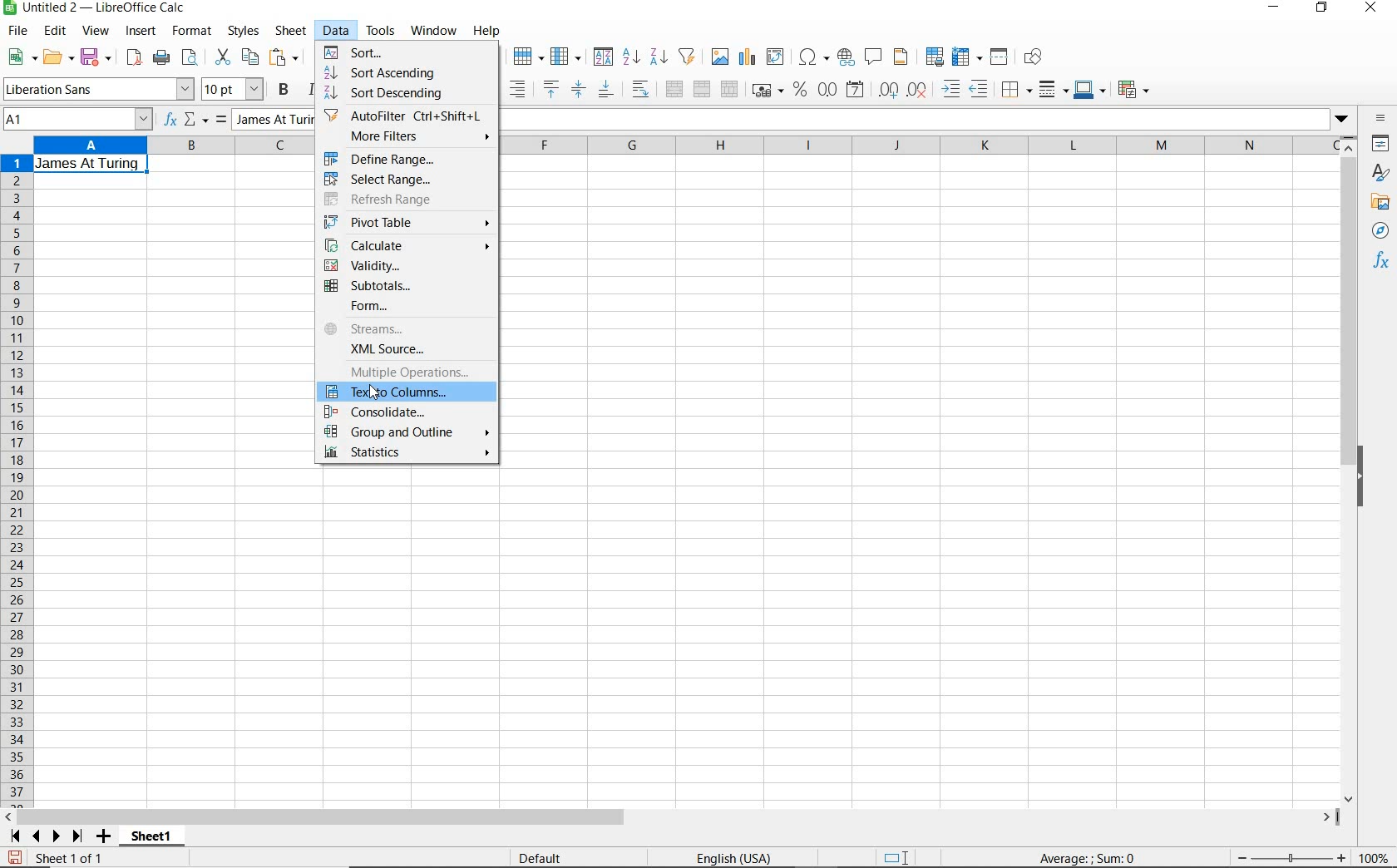  What do you see at coordinates (381, 30) in the screenshot?
I see `tools` at bounding box center [381, 30].